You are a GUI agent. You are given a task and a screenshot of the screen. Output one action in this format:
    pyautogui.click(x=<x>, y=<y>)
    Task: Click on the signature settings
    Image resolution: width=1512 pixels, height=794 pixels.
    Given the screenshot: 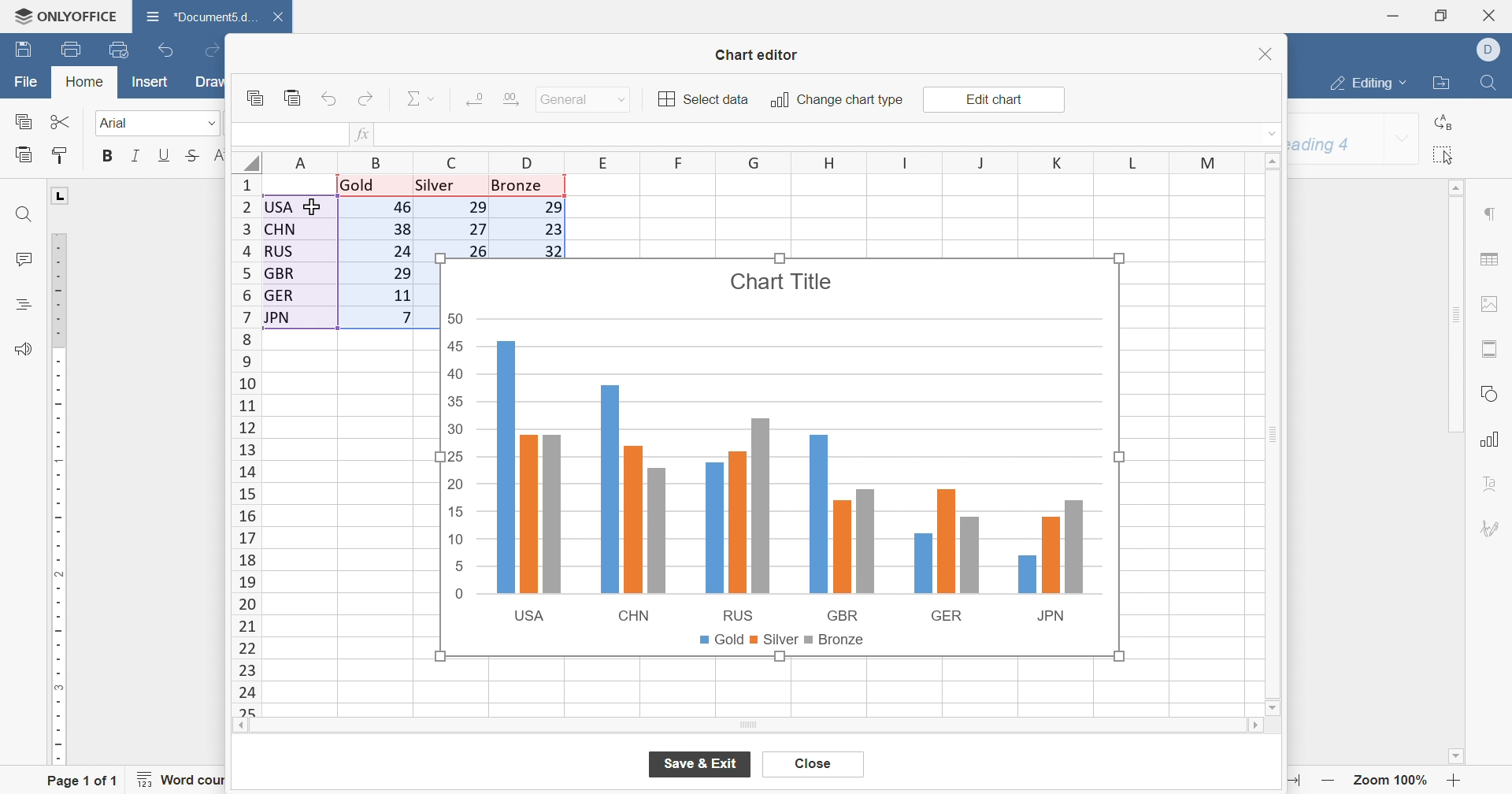 What is the action you would take?
    pyautogui.click(x=1496, y=528)
    